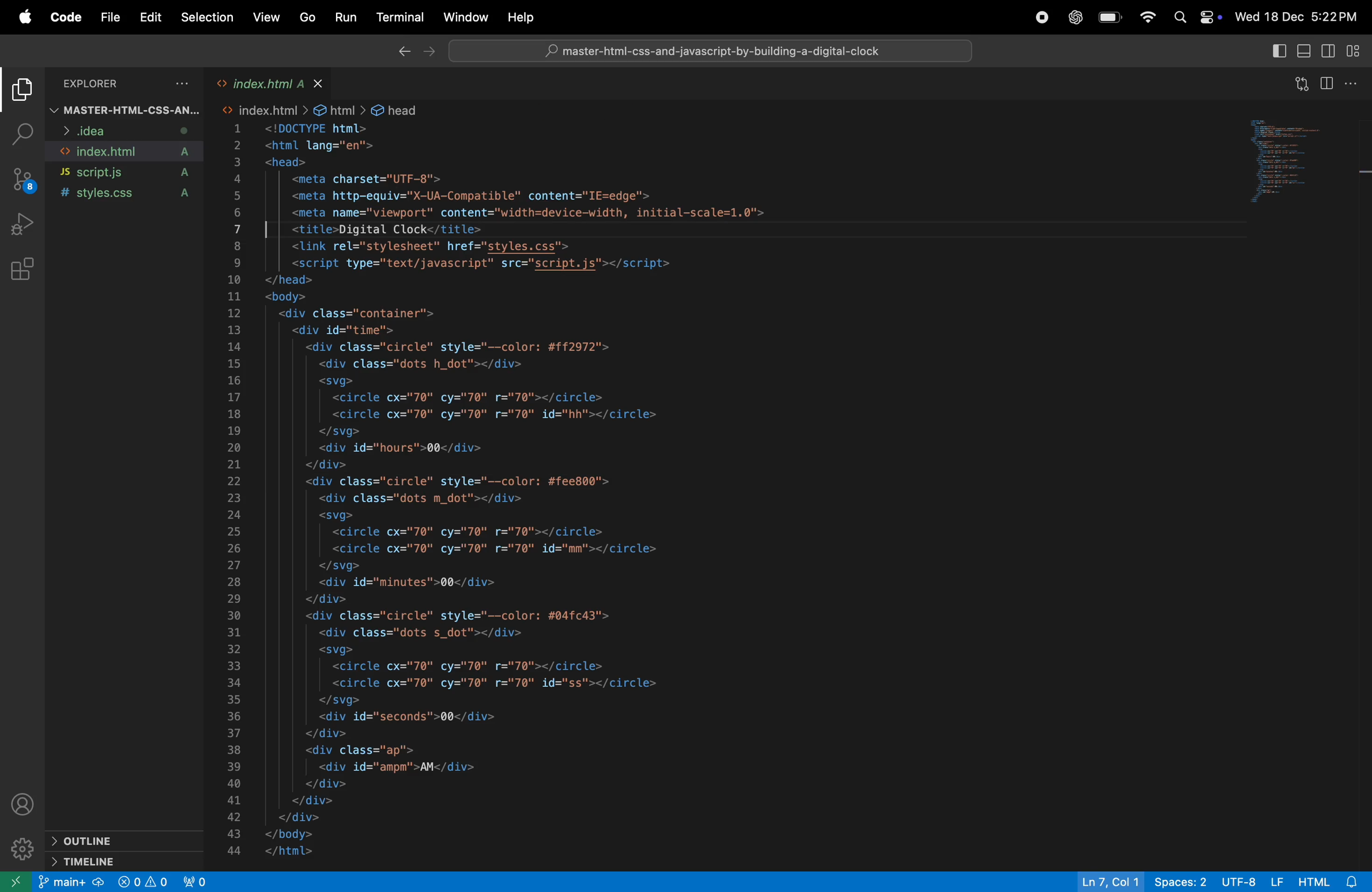 The image size is (1372, 892). Describe the element at coordinates (66, 16) in the screenshot. I see `code` at that location.